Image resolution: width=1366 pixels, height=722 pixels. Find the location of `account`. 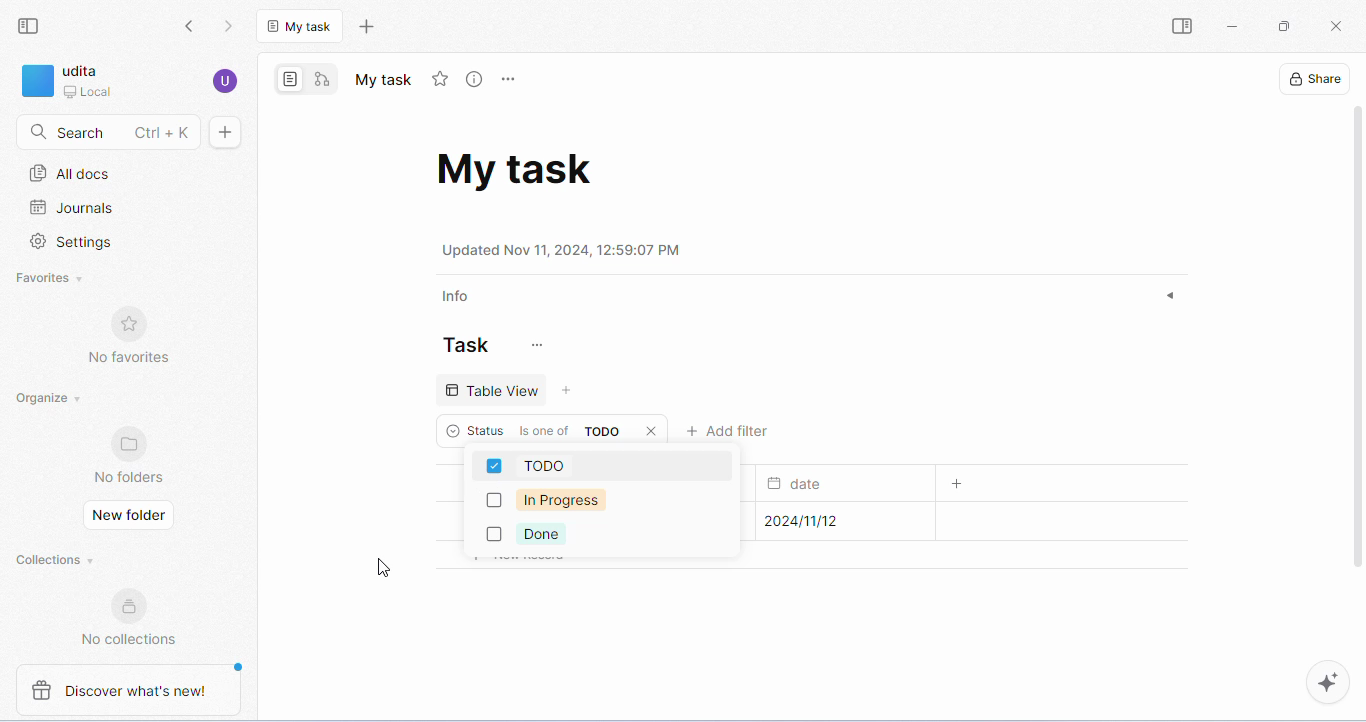

account is located at coordinates (225, 81).